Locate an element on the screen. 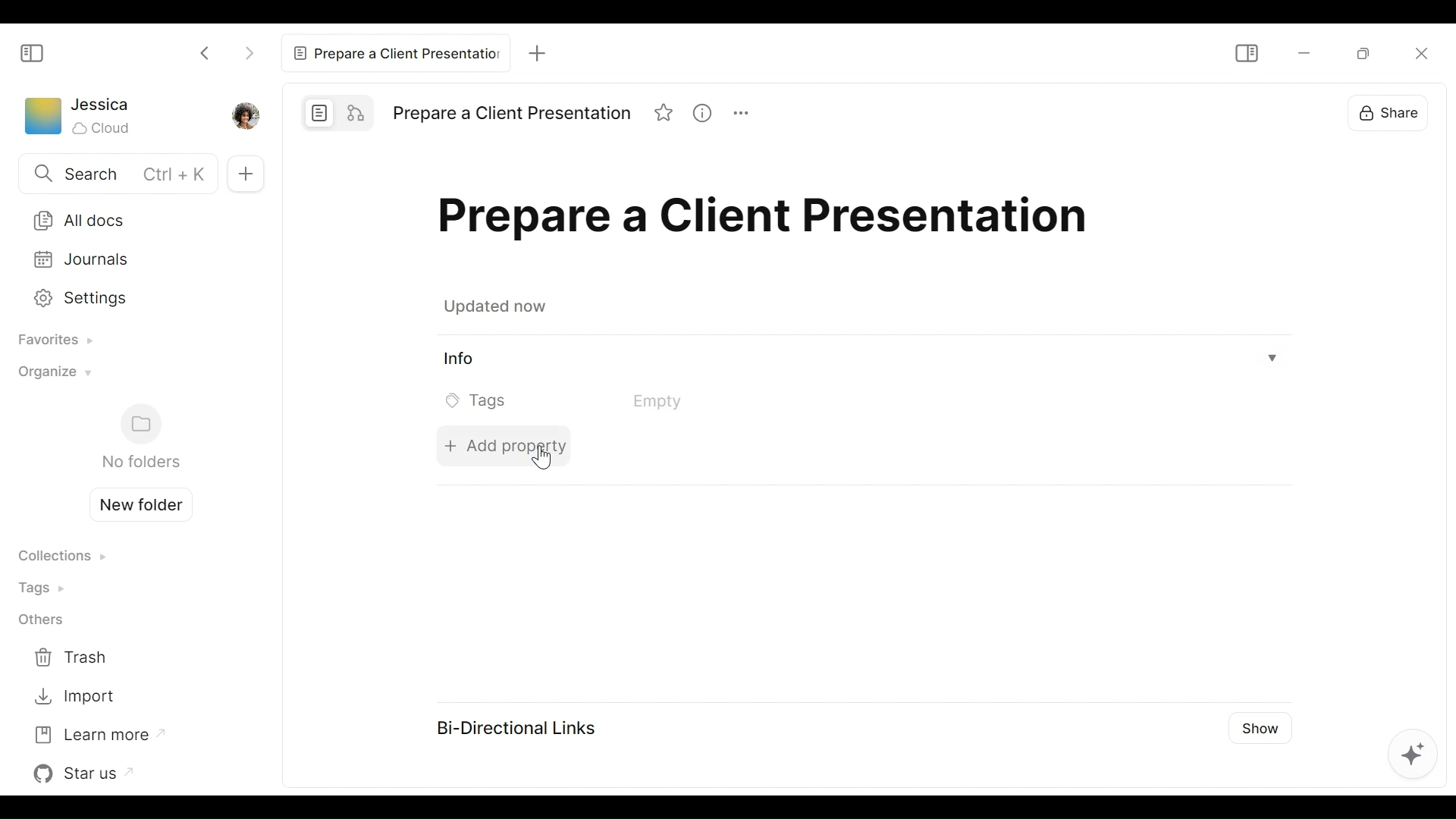 The height and width of the screenshot is (819, 1456). New Tab is located at coordinates (541, 49).